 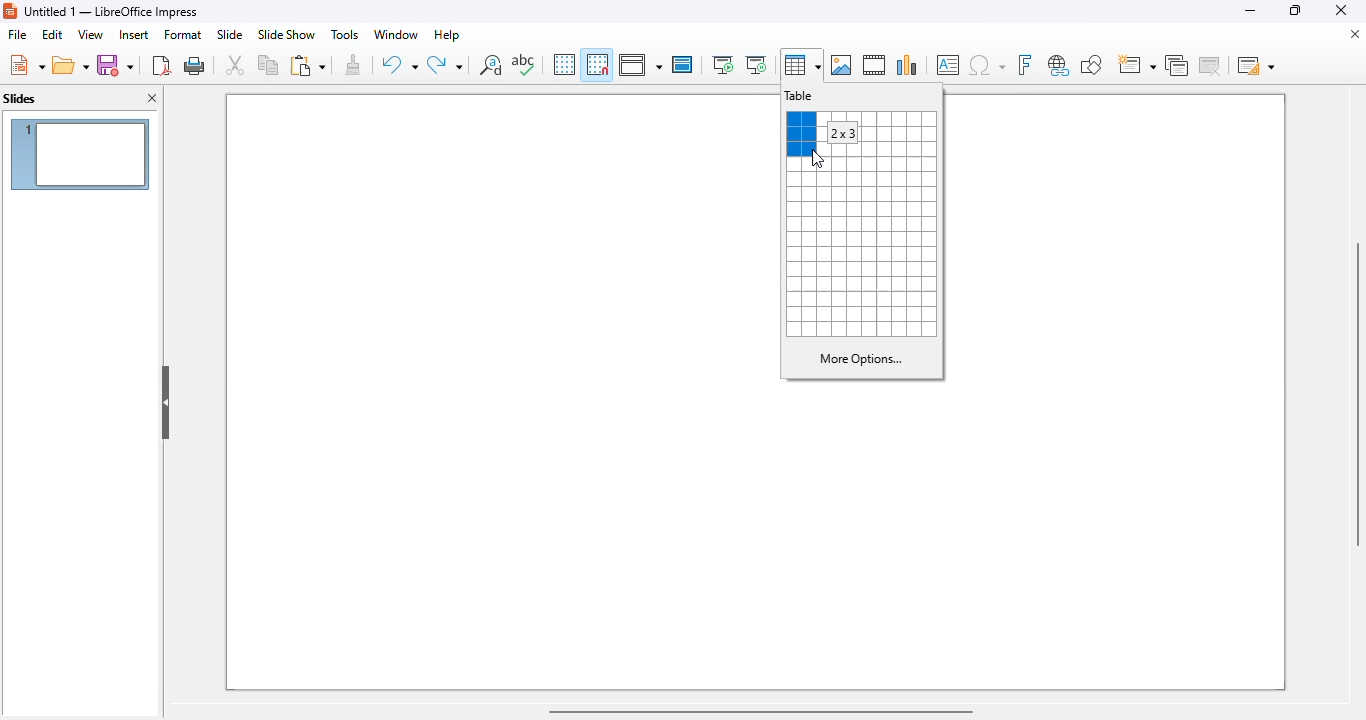 I want to click on slide 1, so click(x=81, y=153).